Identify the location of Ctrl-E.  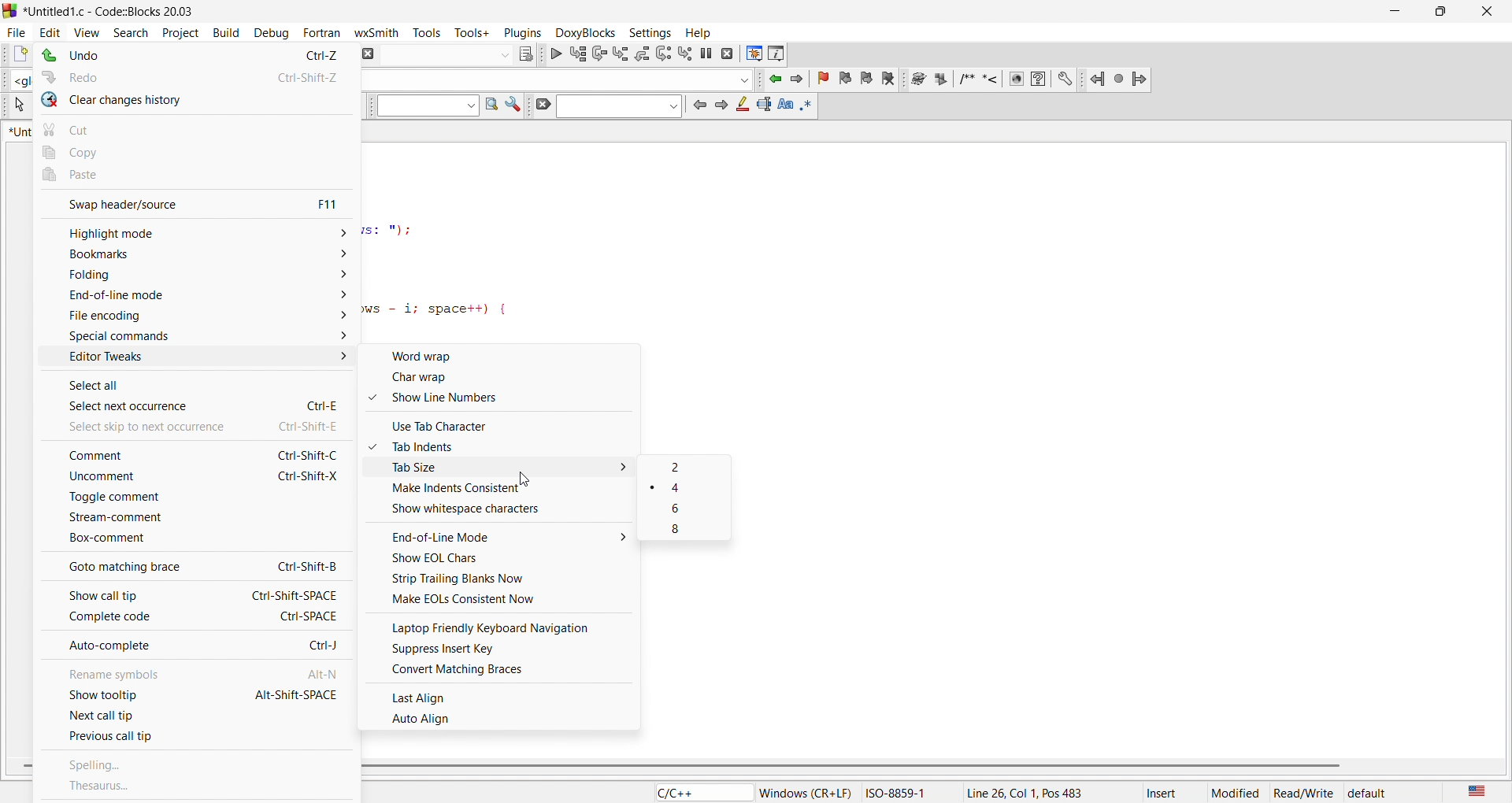
(313, 397).